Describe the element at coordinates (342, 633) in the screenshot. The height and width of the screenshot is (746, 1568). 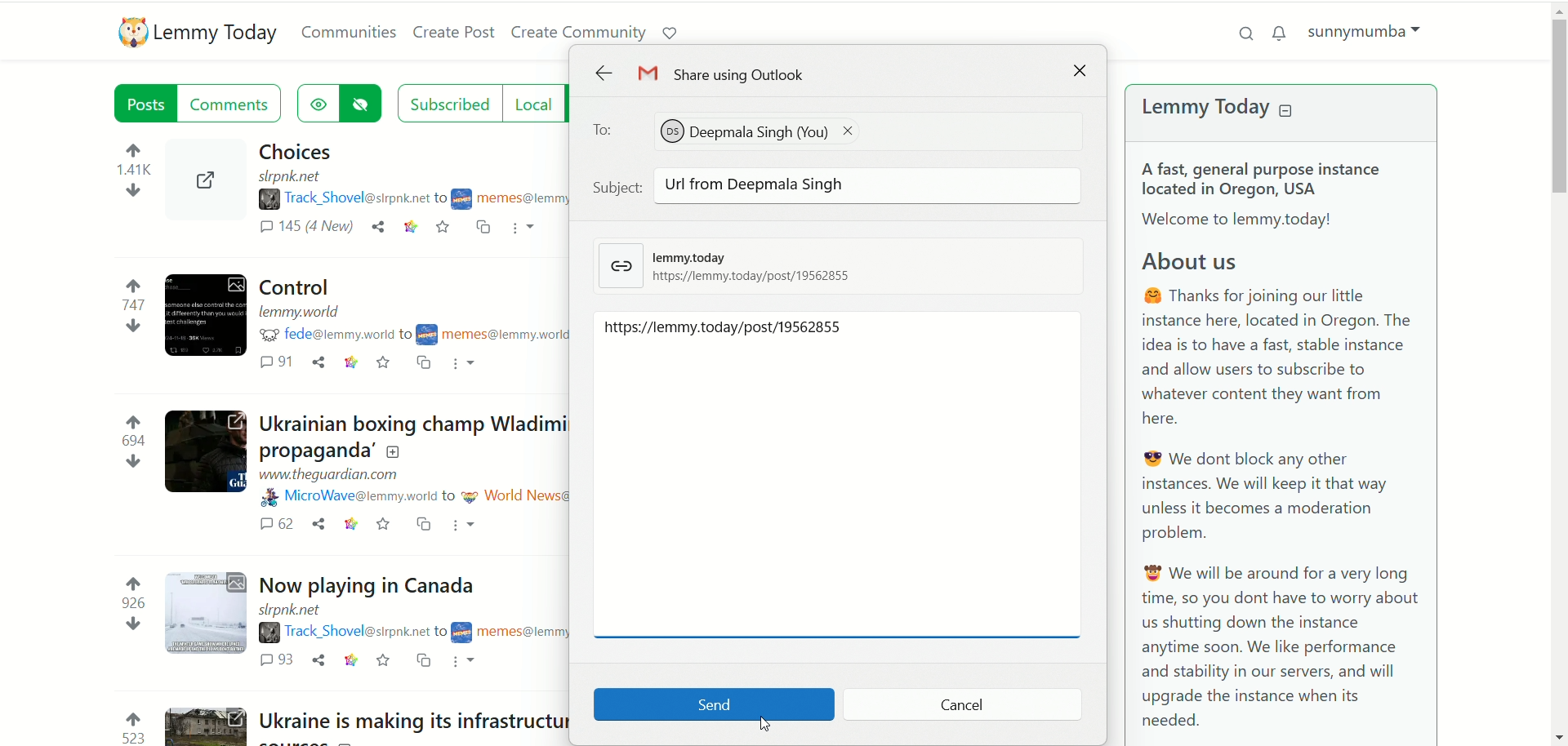
I see `username` at that location.